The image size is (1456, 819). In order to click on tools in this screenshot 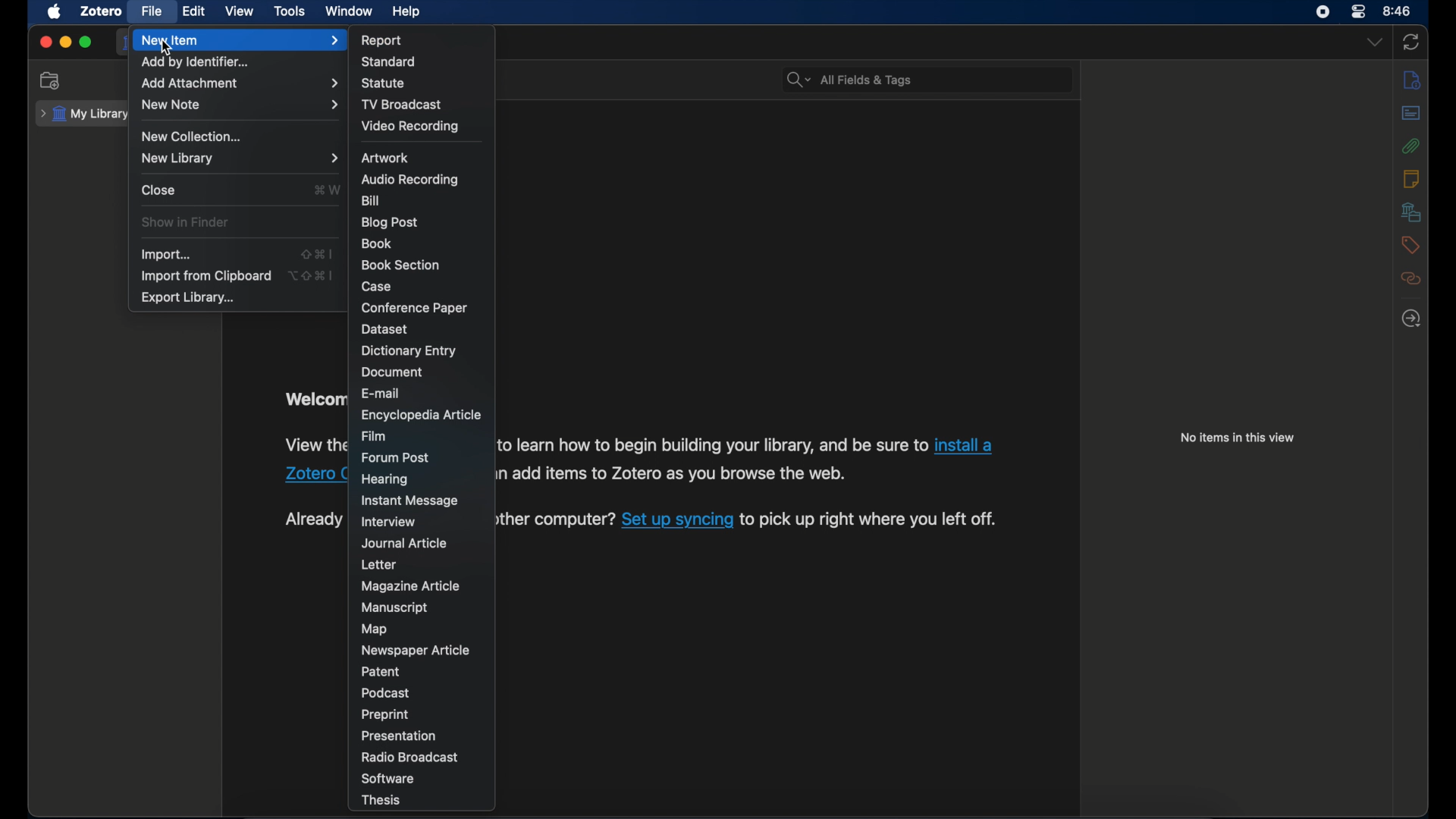, I will do `click(290, 11)`.